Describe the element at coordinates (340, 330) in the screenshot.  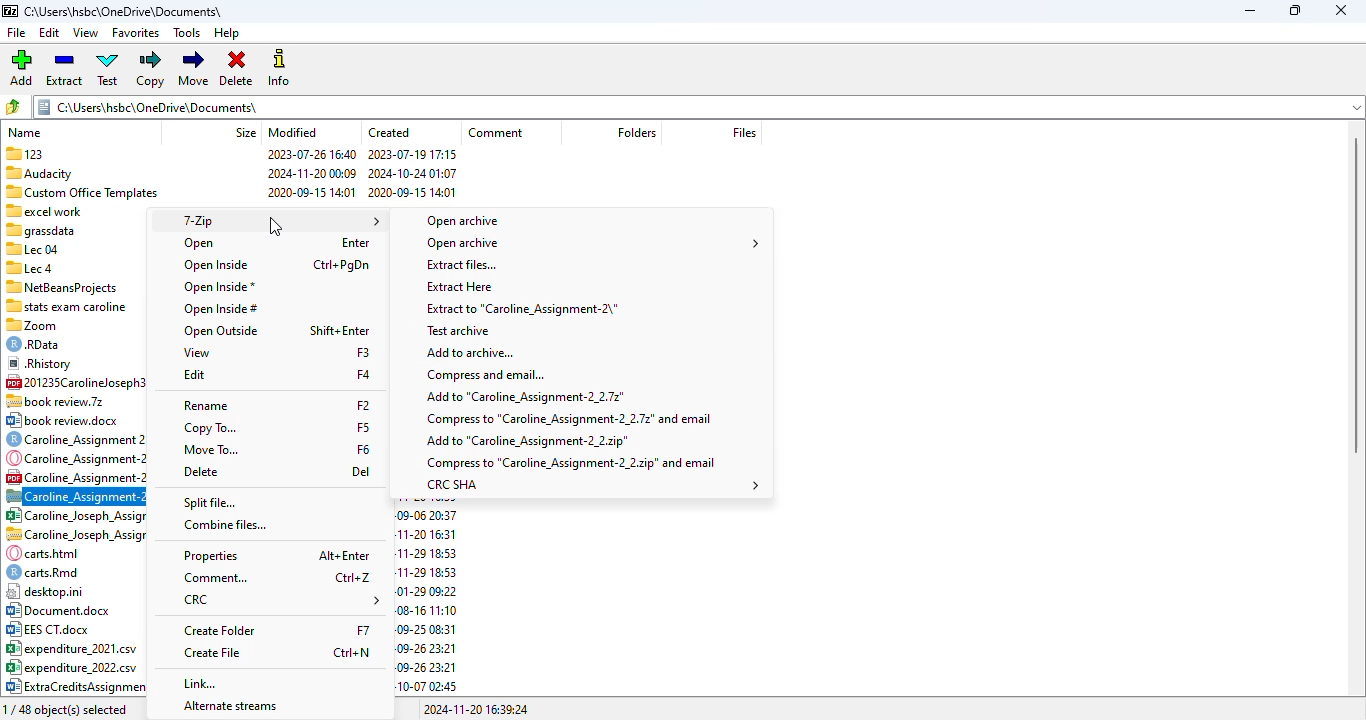
I see `shortcut for open outside` at that location.